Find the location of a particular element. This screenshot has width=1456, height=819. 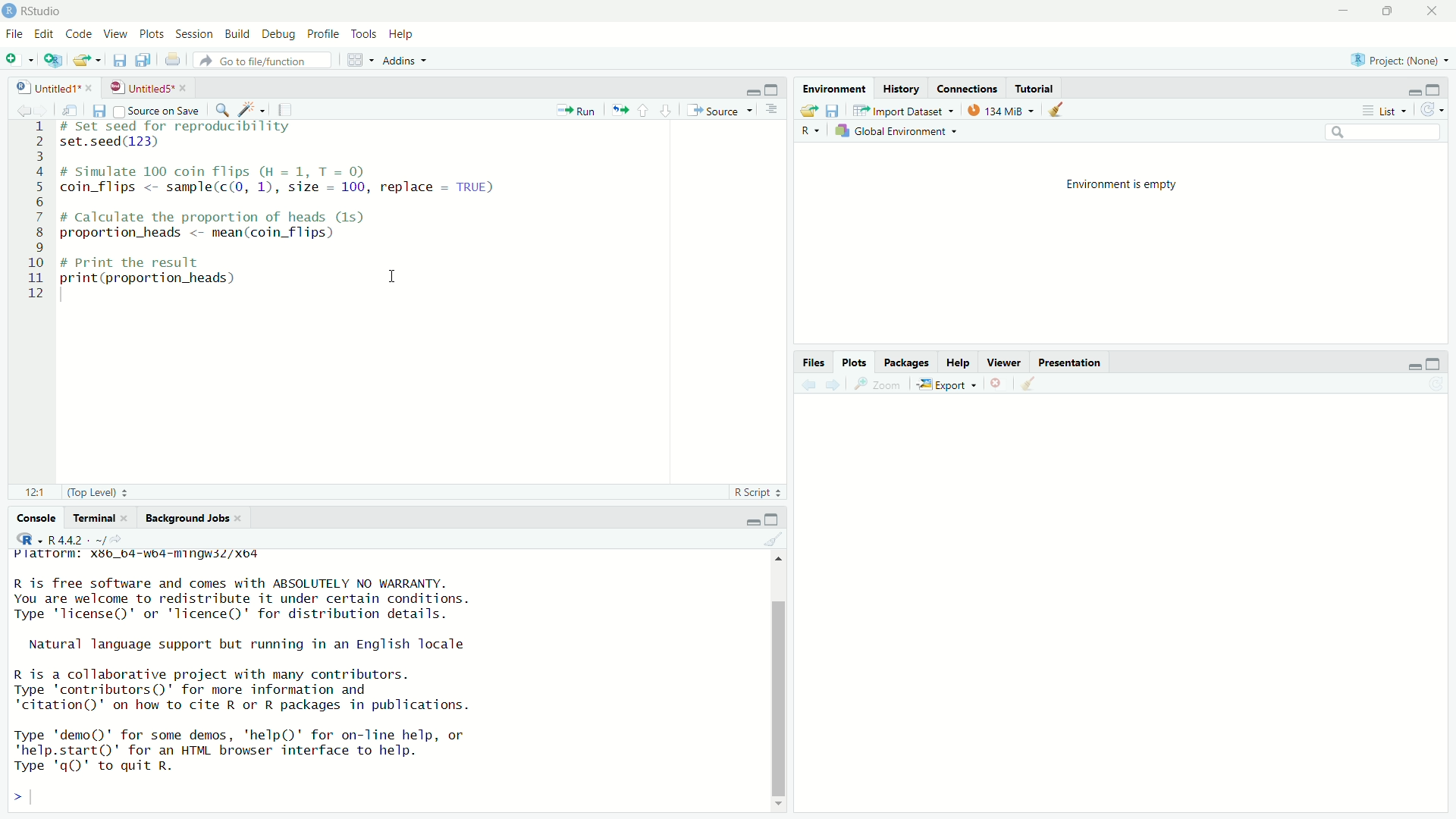

coin_tiips <- sample(c(O, 1), size = 100, replace = TRUE) is located at coordinates (286, 188).